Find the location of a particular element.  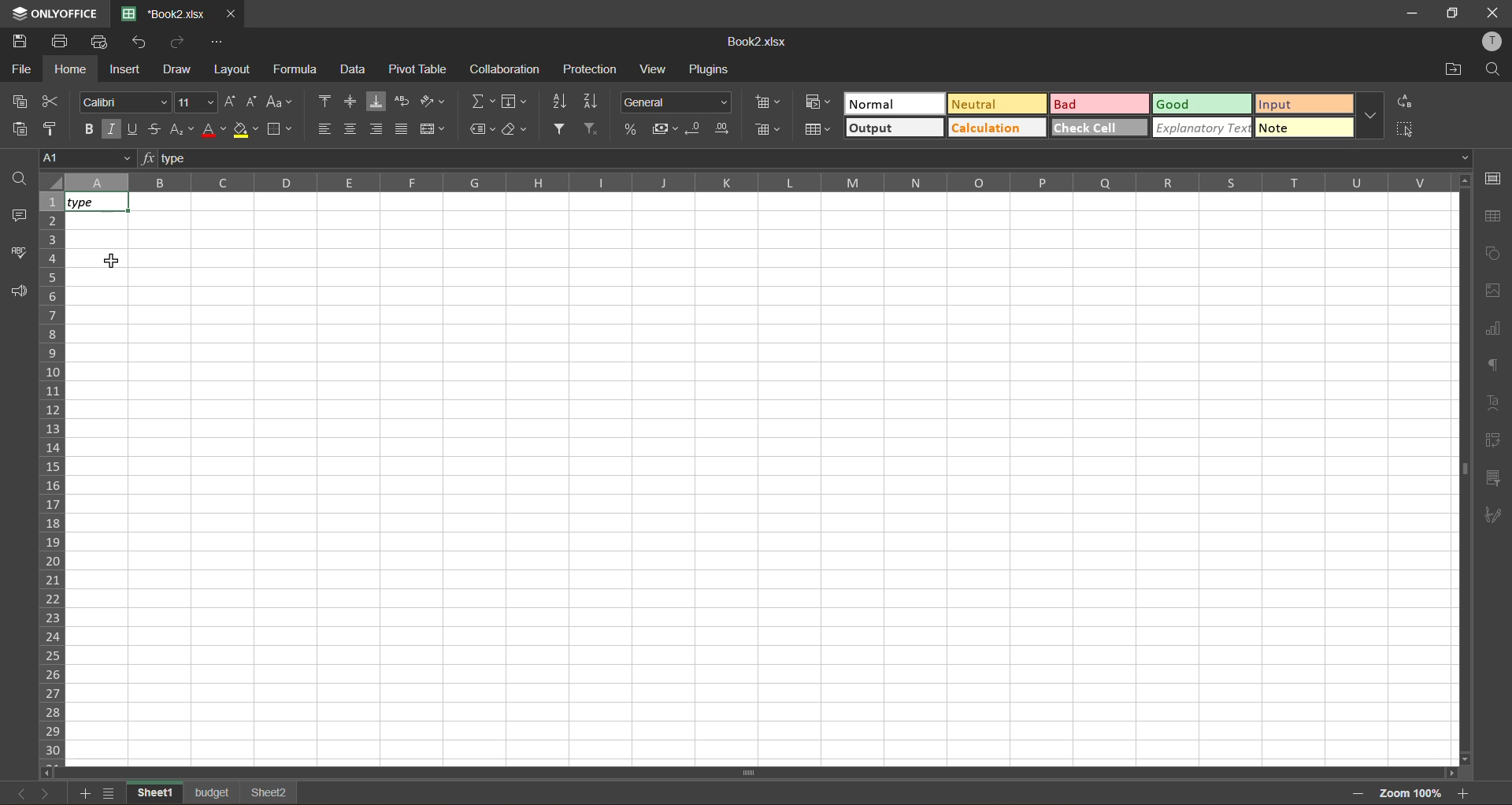

bold is located at coordinates (86, 130).